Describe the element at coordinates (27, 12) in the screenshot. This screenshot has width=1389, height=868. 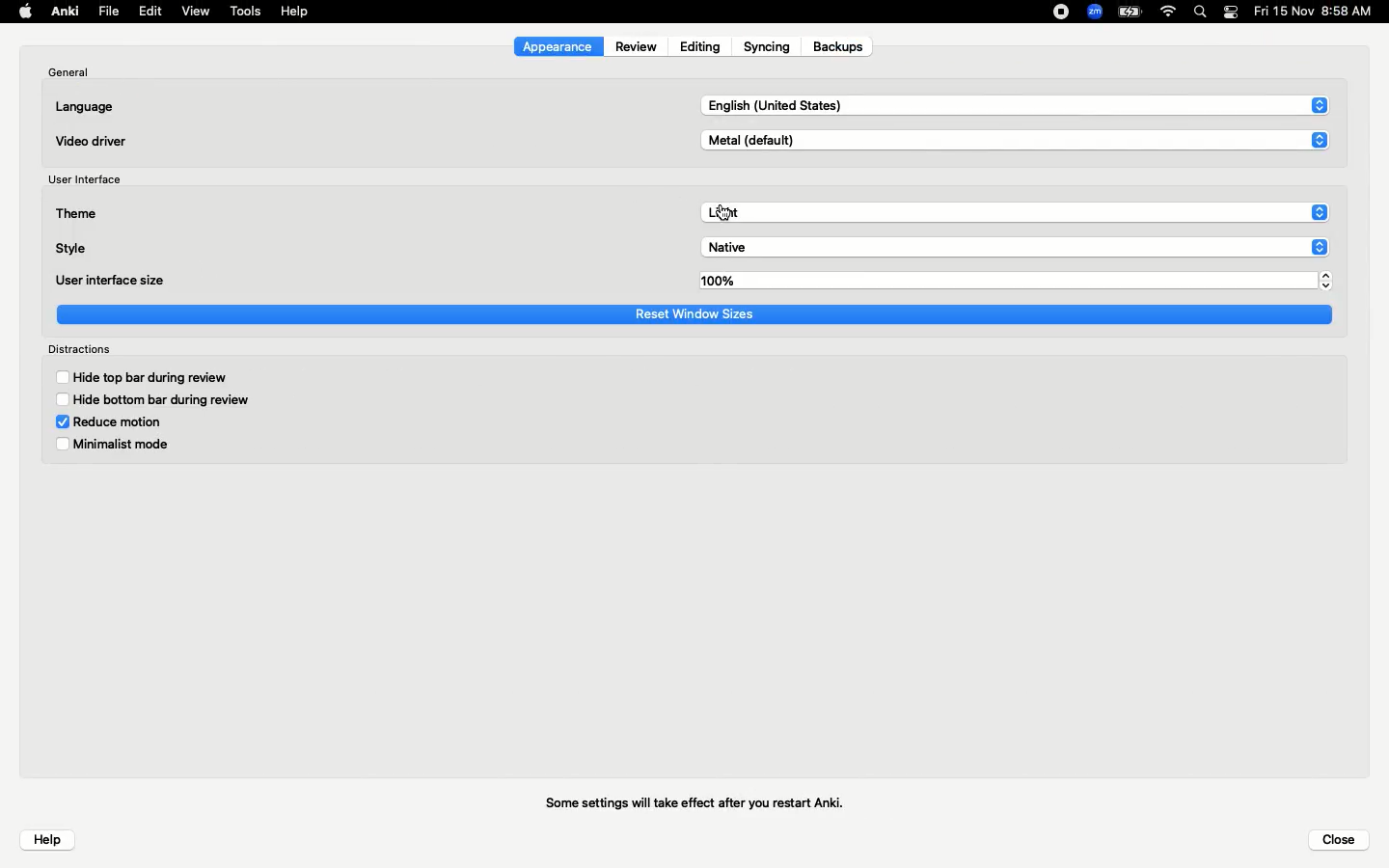
I see `Apple logo` at that location.